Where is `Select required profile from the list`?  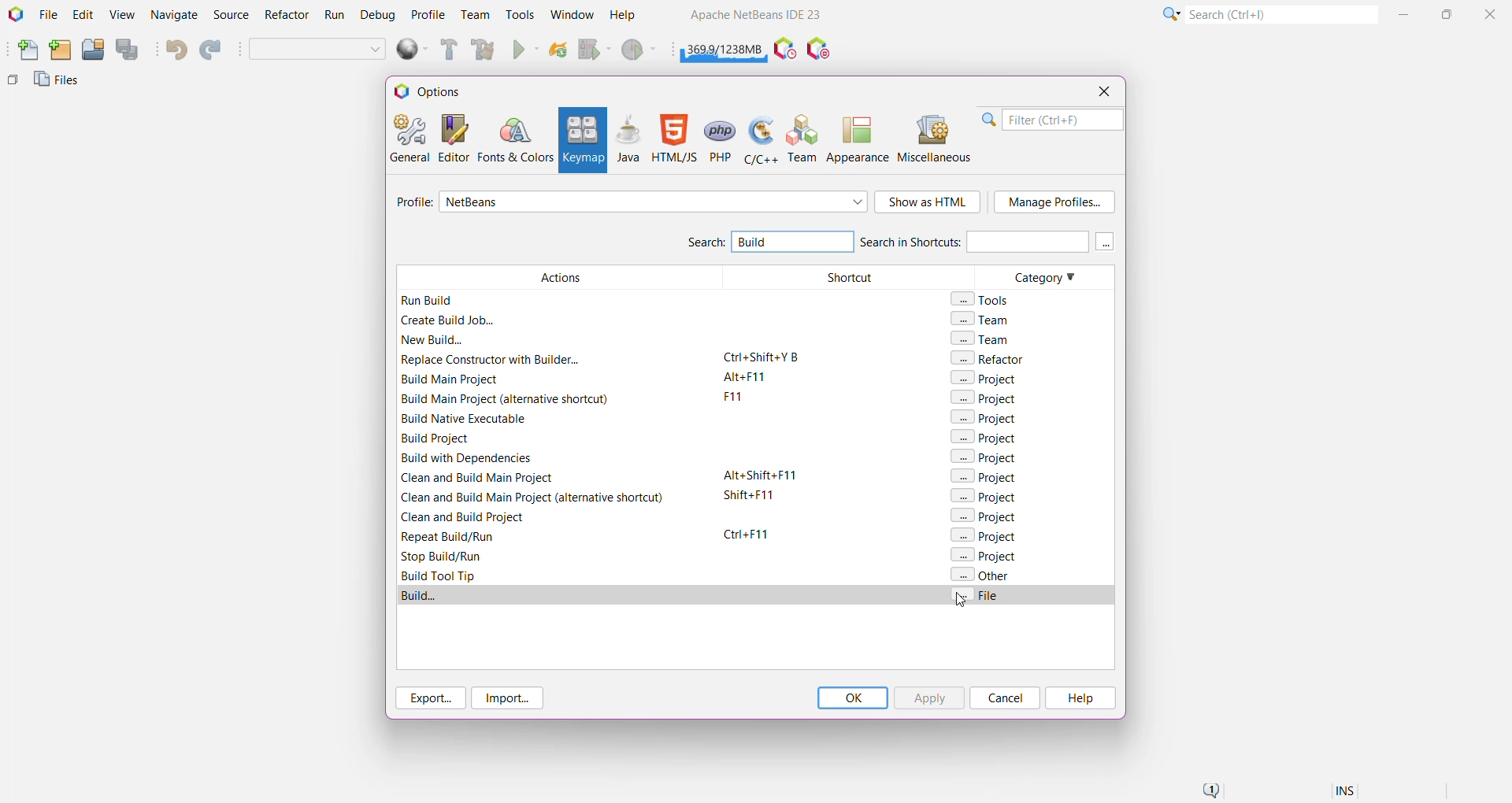 Select required profile from the list is located at coordinates (654, 202).